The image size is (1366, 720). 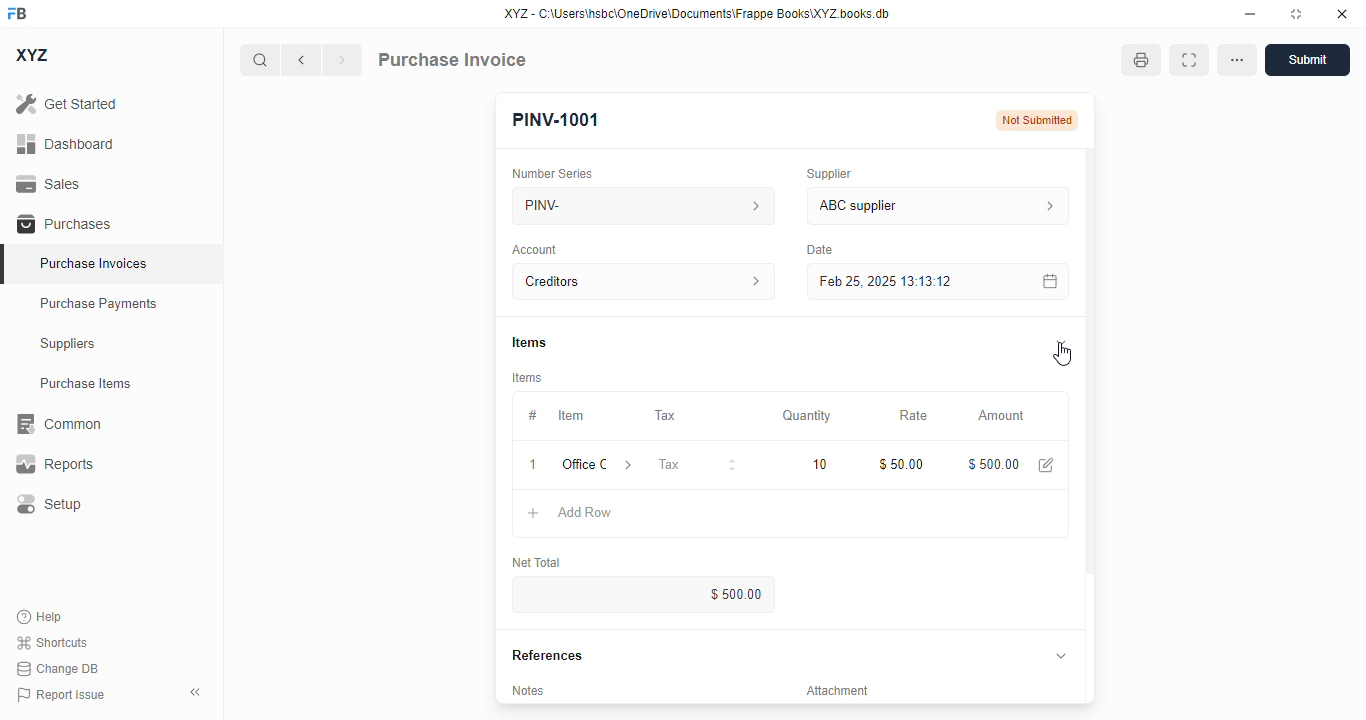 What do you see at coordinates (820, 249) in the screenshot?
I see `date` at bounding box center [820, 249].